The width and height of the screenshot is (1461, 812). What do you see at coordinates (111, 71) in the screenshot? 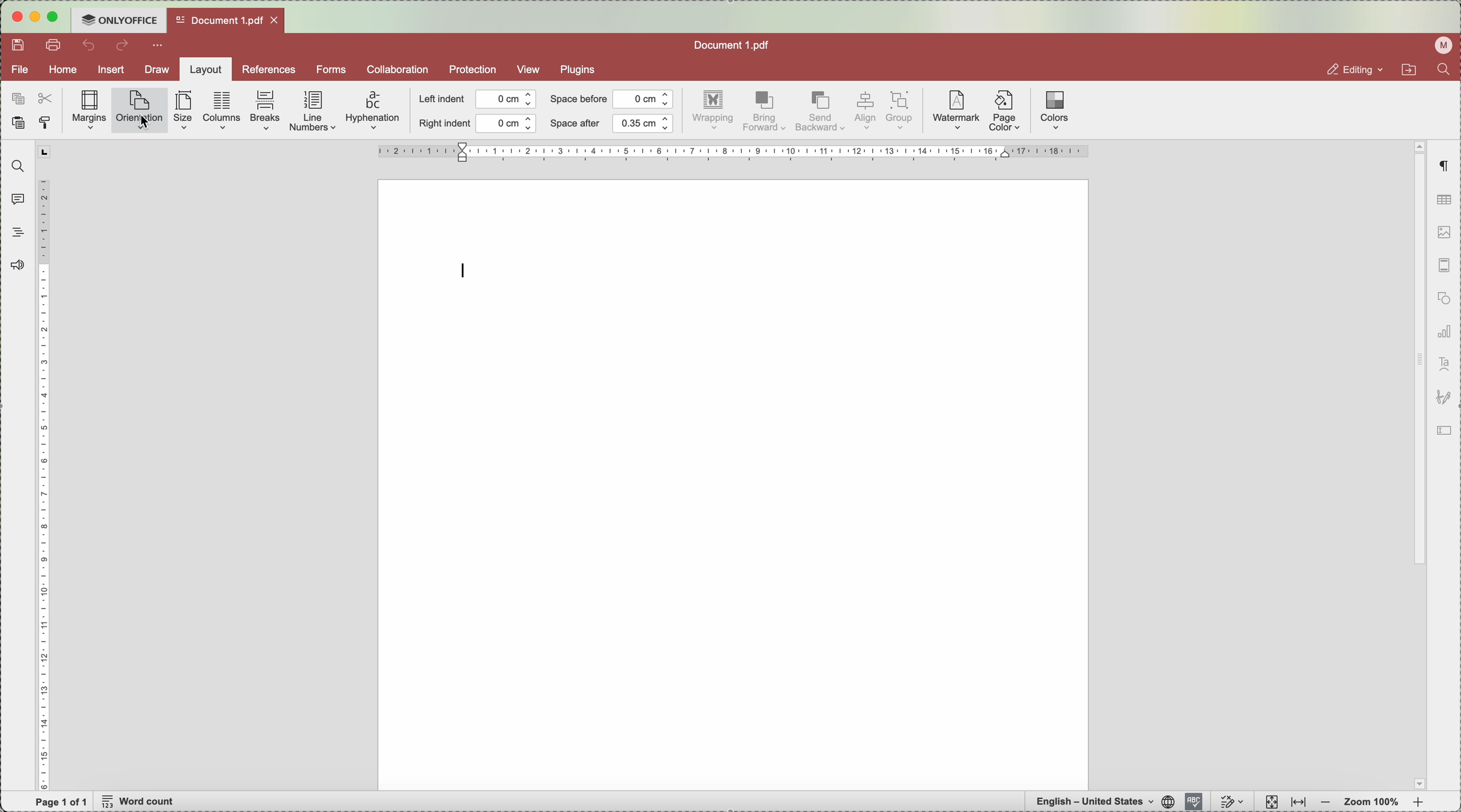
I see `insert` at bounding box center [111, 71].